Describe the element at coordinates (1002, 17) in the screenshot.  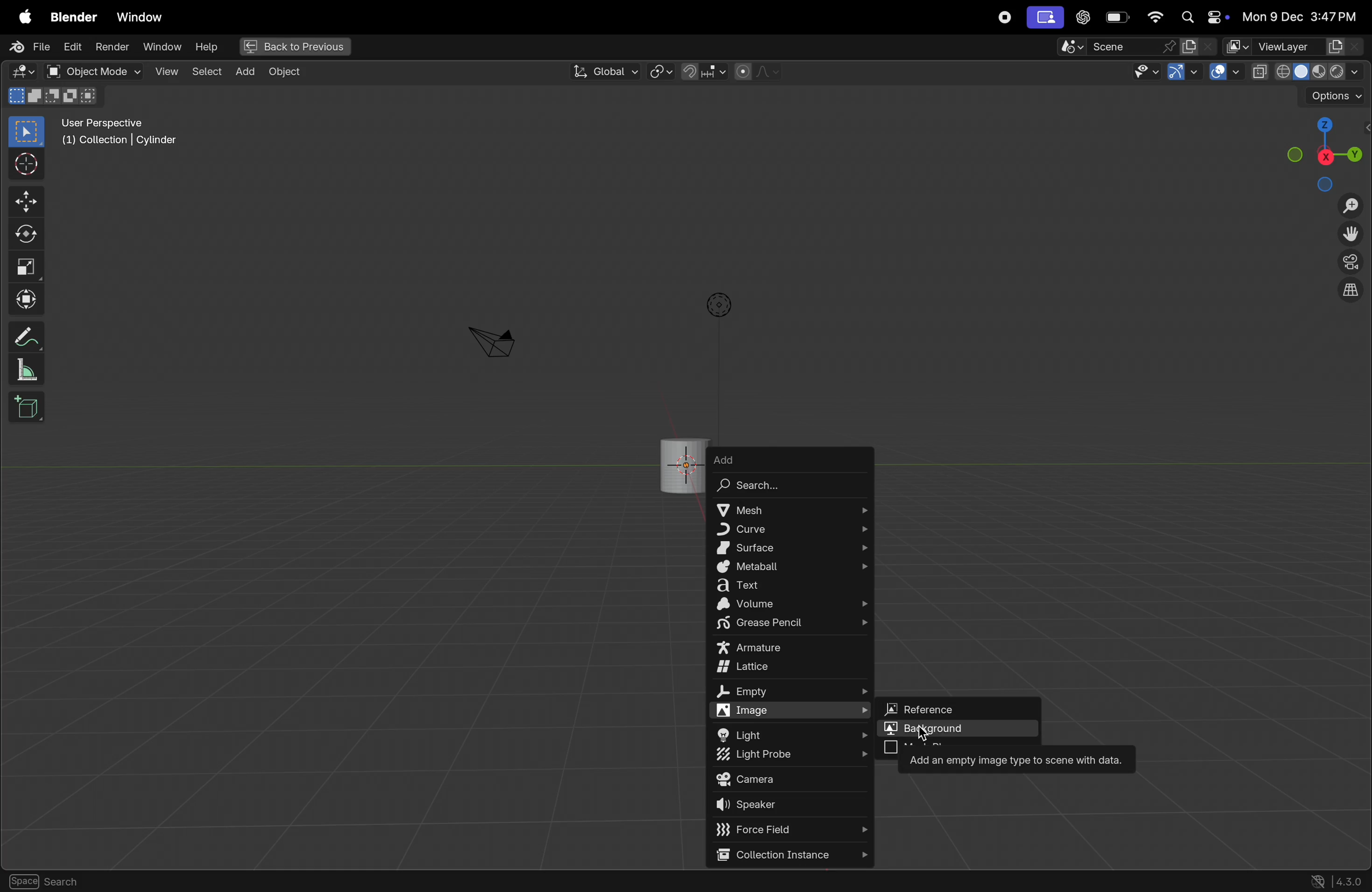
I see `record` at that location.